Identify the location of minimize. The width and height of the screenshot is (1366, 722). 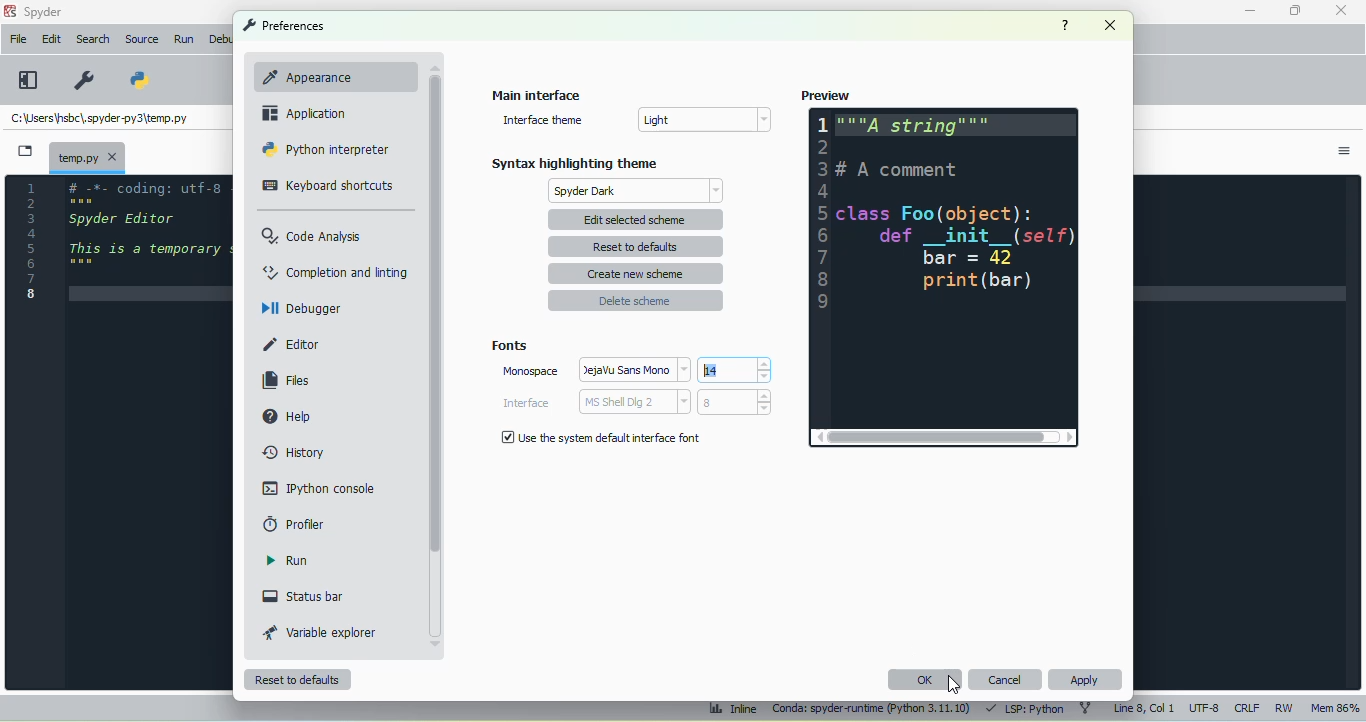
(1251, 11).